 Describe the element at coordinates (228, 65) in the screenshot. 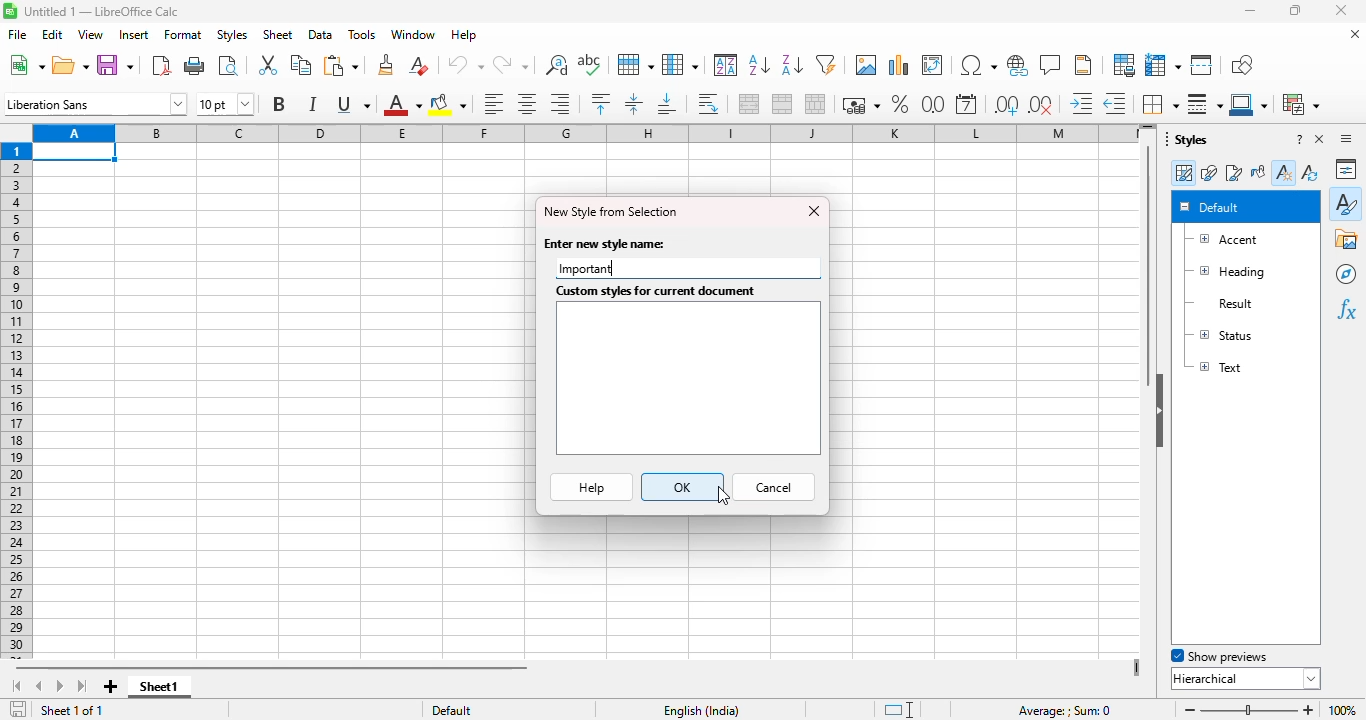

I see `toggle print preview` at that location.